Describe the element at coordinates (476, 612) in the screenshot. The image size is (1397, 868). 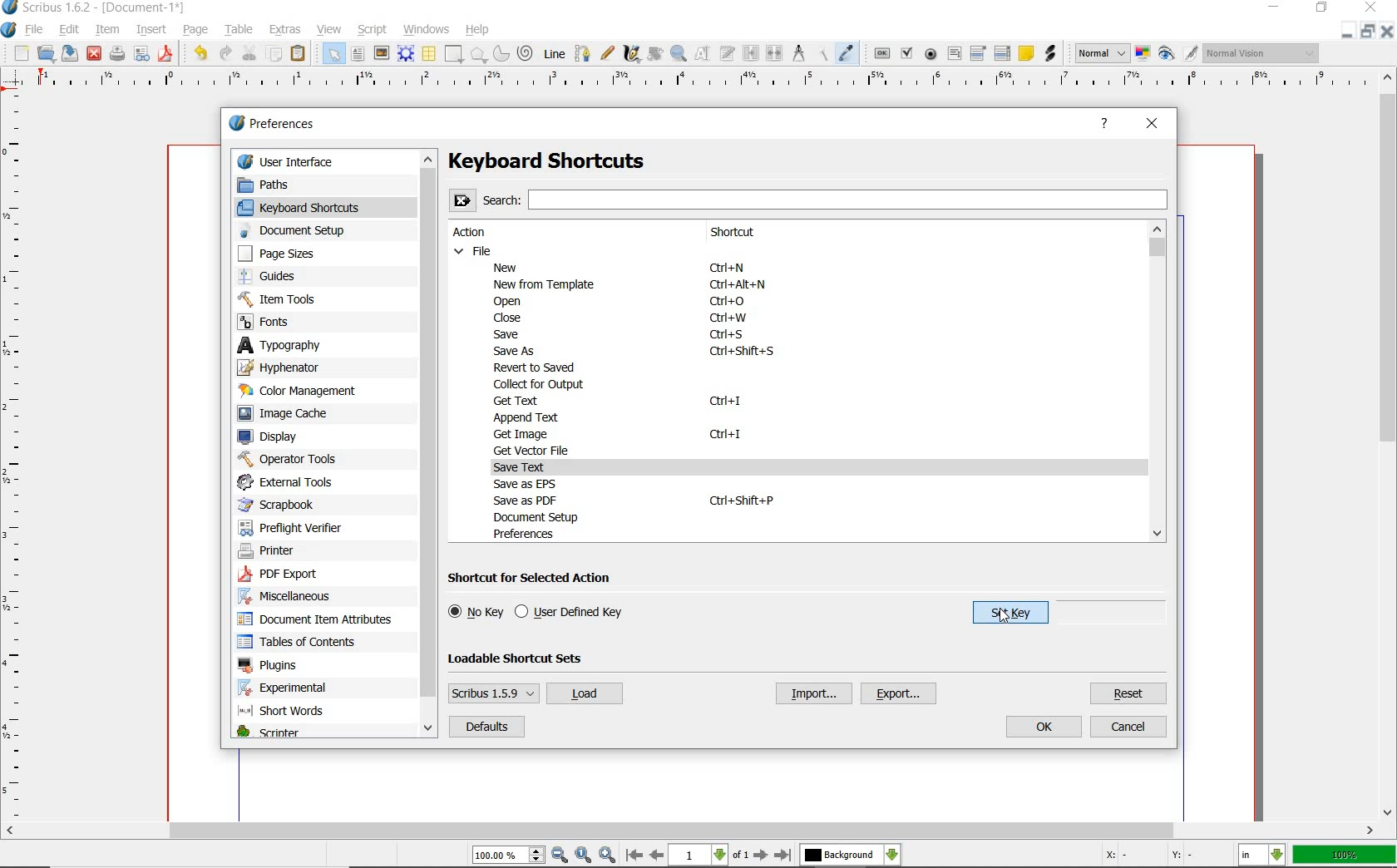
I see `no key` at that location.